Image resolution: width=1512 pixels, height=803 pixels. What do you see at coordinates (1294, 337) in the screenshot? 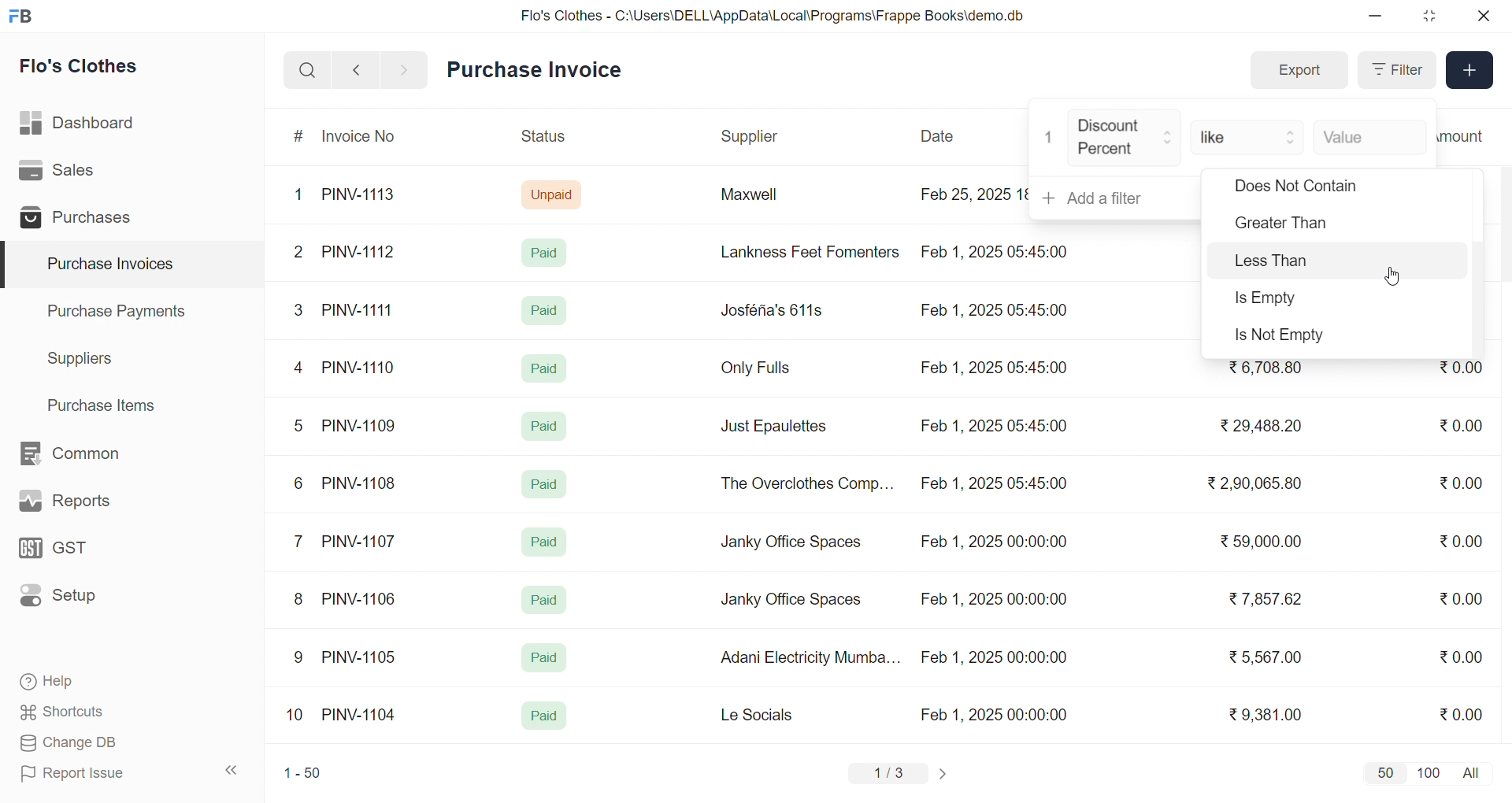
I see `Is Not Empty` at bounding box center [1294, 337].